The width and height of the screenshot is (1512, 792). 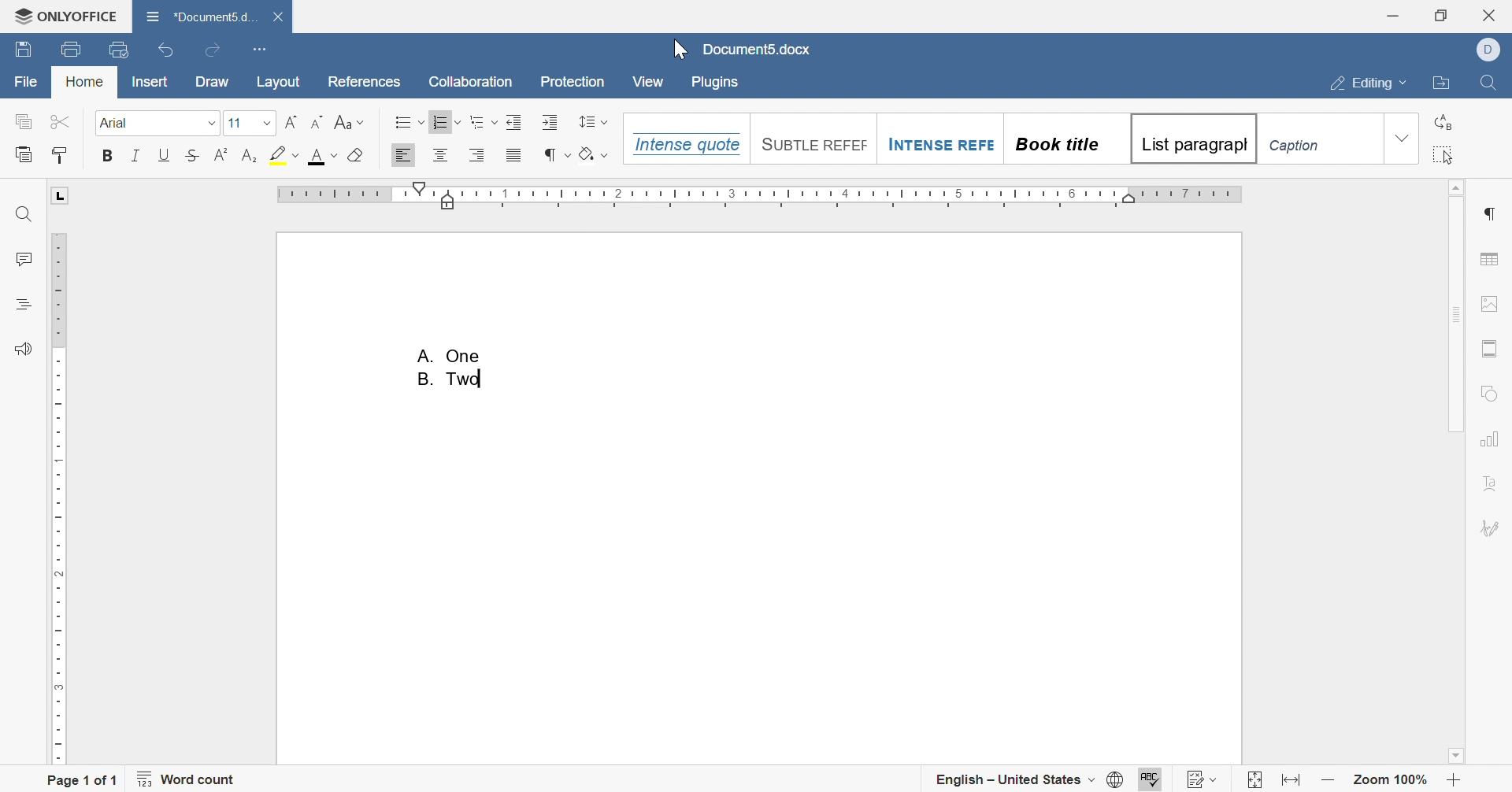 What do you see at coordinates (212, 123) in the screenshot?
I see `drop down` at bounding box center [212, 123].